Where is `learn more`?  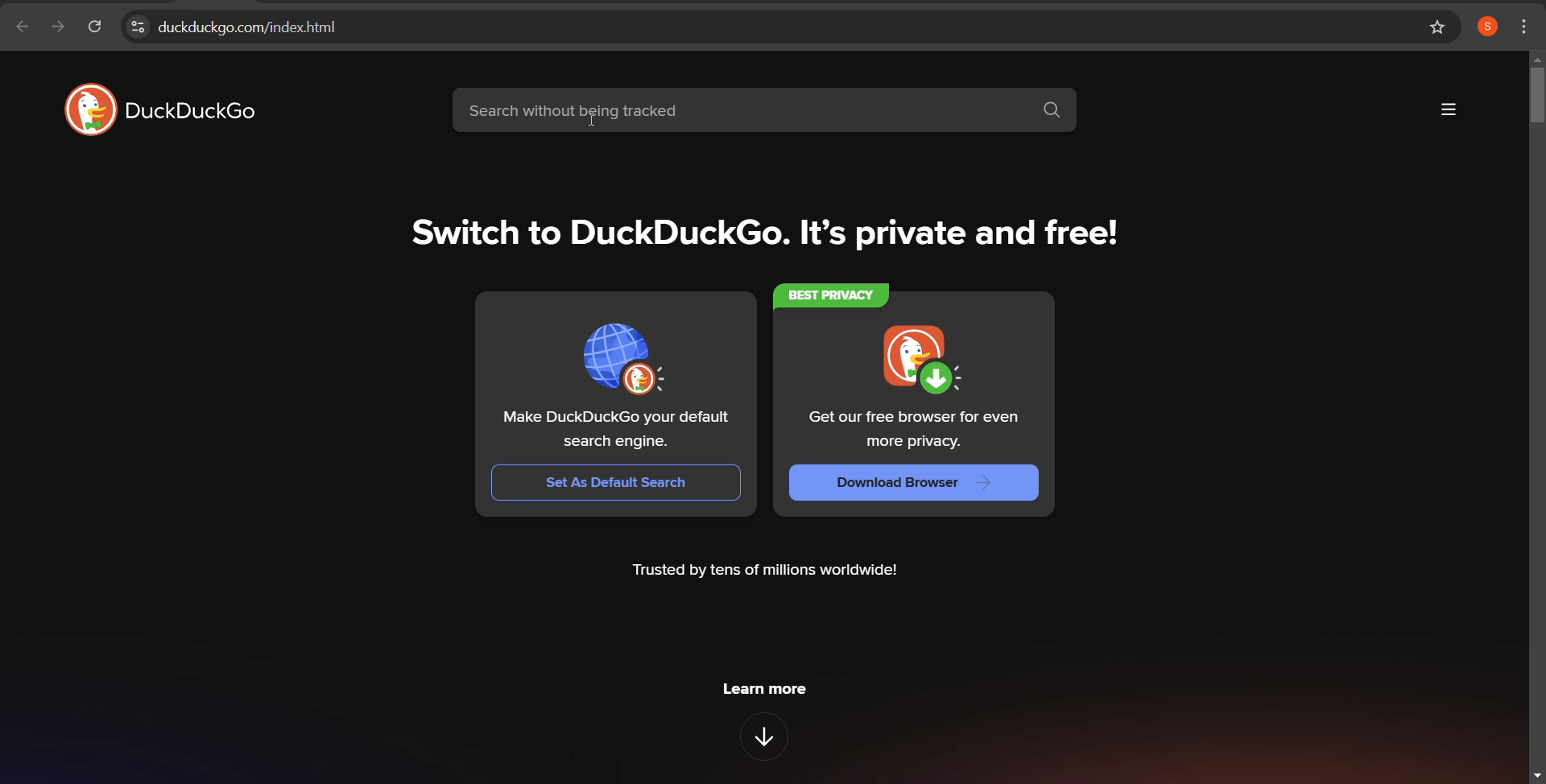 learn more is located at coordinates (775, 691).